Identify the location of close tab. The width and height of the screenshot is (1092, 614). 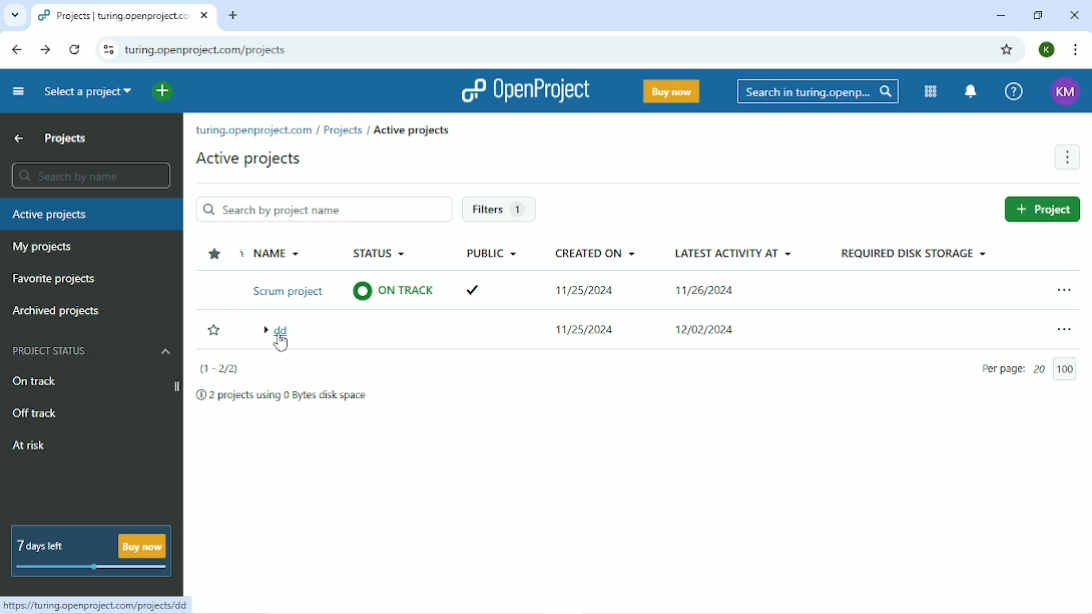
(208, 14).